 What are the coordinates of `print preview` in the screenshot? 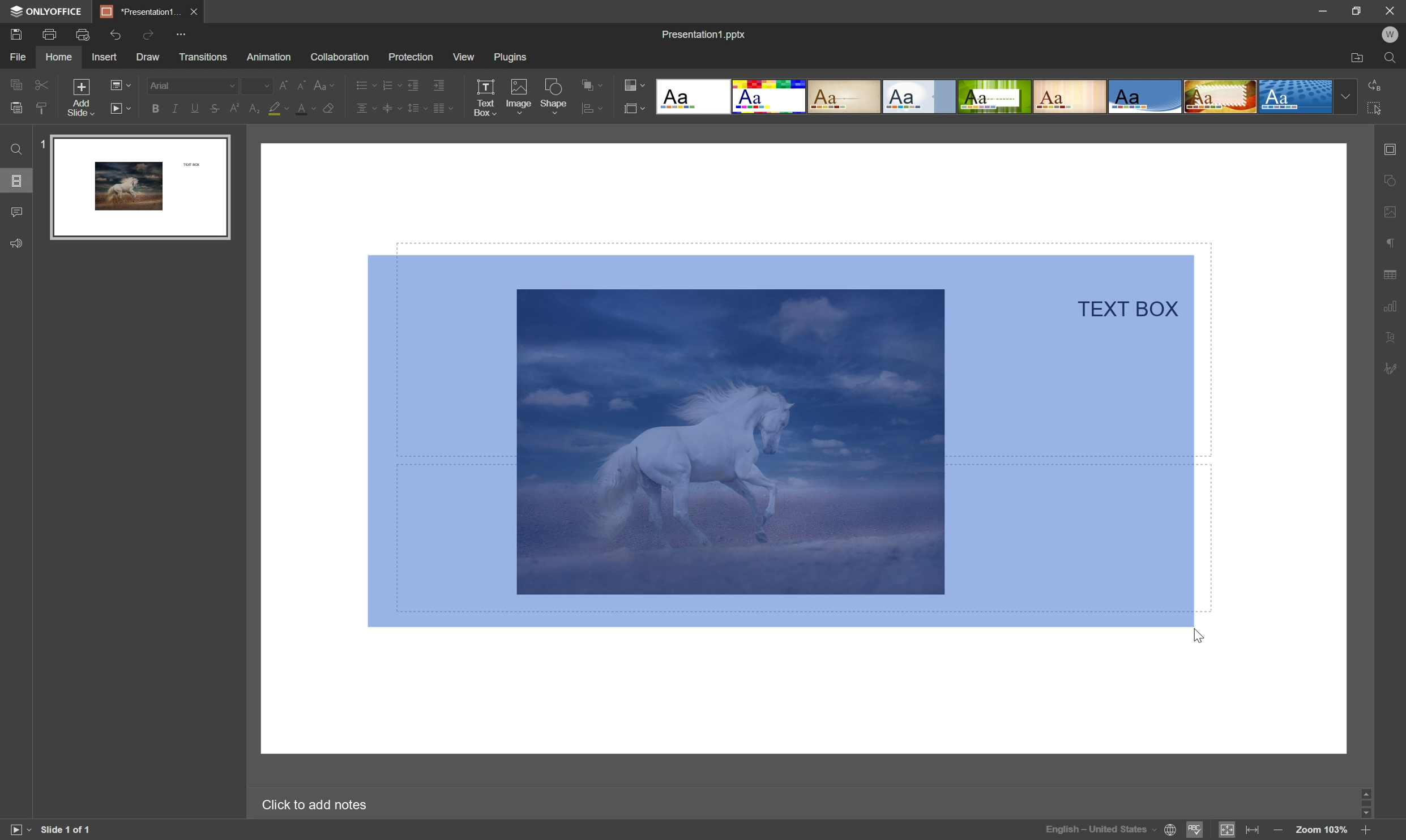 It's located at (83, 33).